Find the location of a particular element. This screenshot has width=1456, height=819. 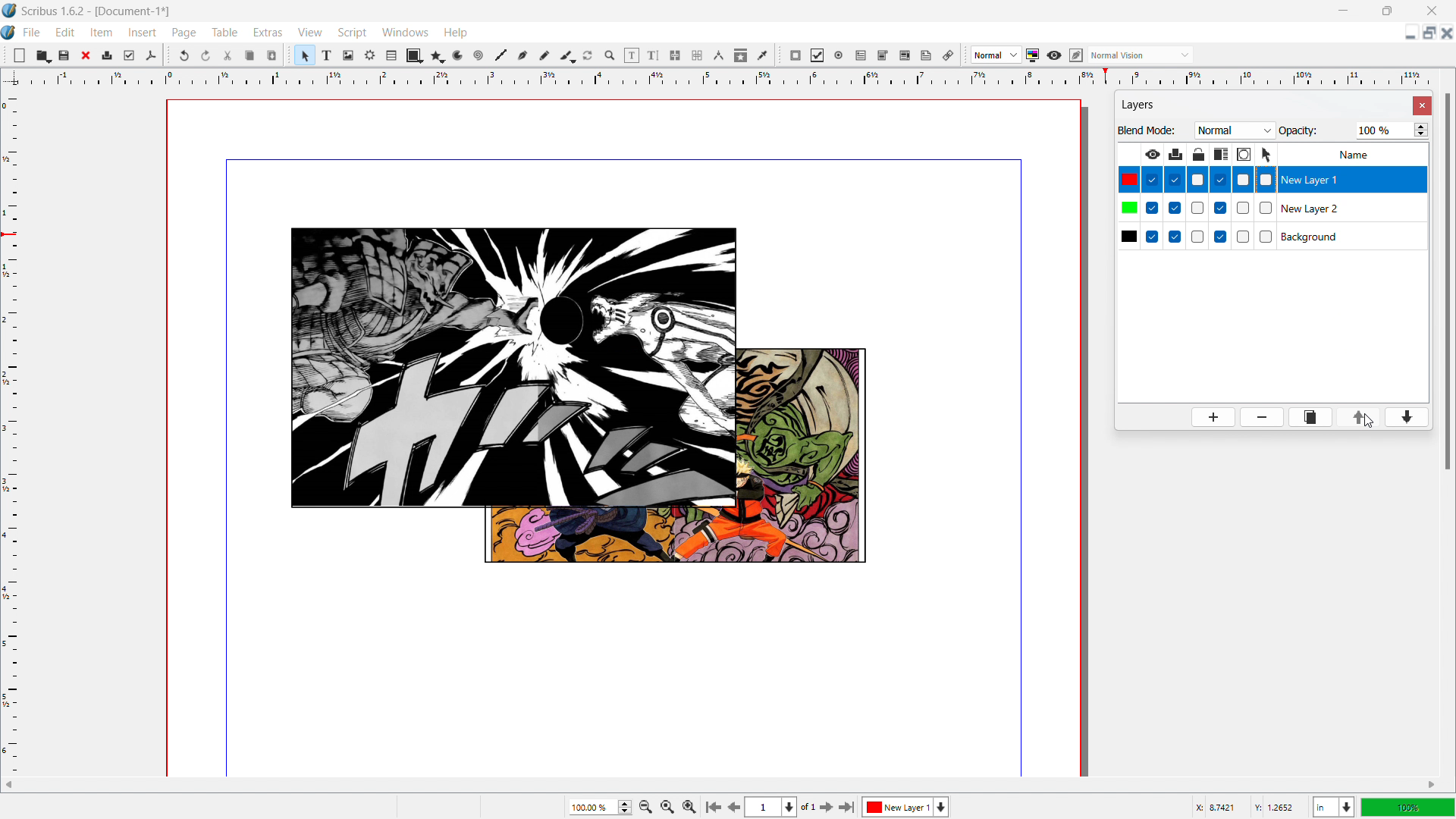

bezier curve is located at coordinates (522, 55).